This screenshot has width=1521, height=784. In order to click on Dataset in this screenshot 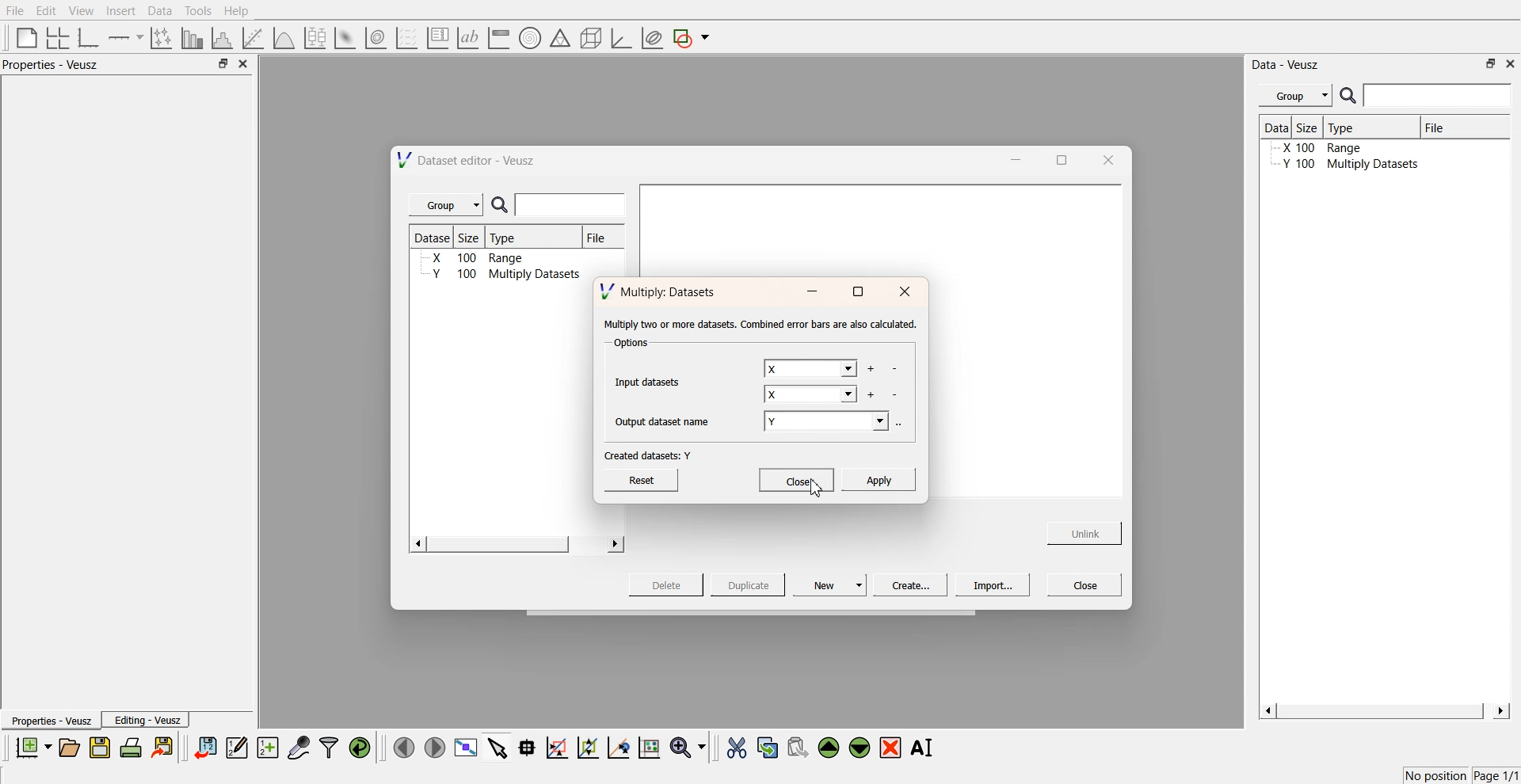, I will do `click(1276, 127)`.